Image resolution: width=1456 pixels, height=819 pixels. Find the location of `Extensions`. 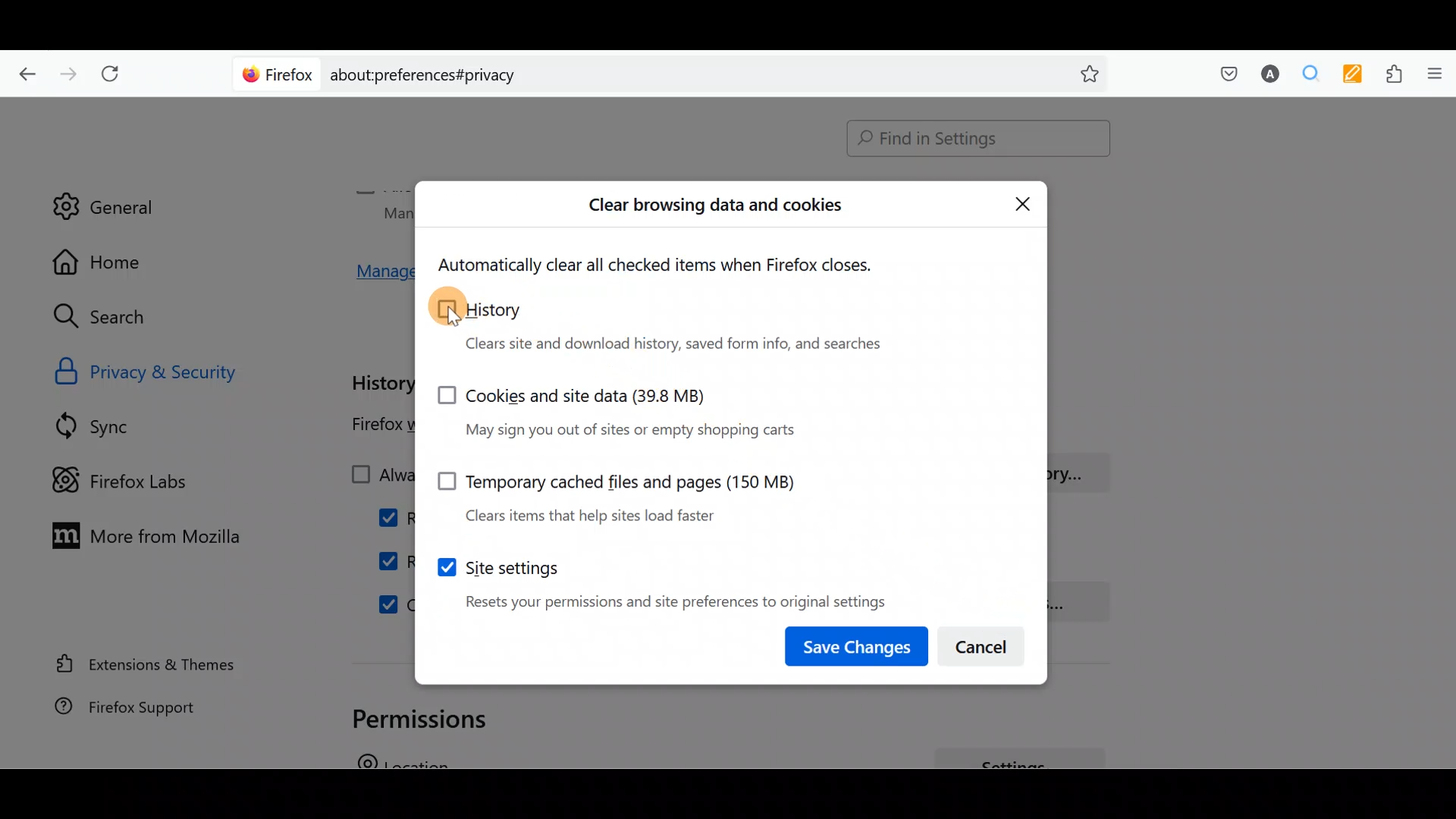

Extensions is located at coordinates (1390, 74).